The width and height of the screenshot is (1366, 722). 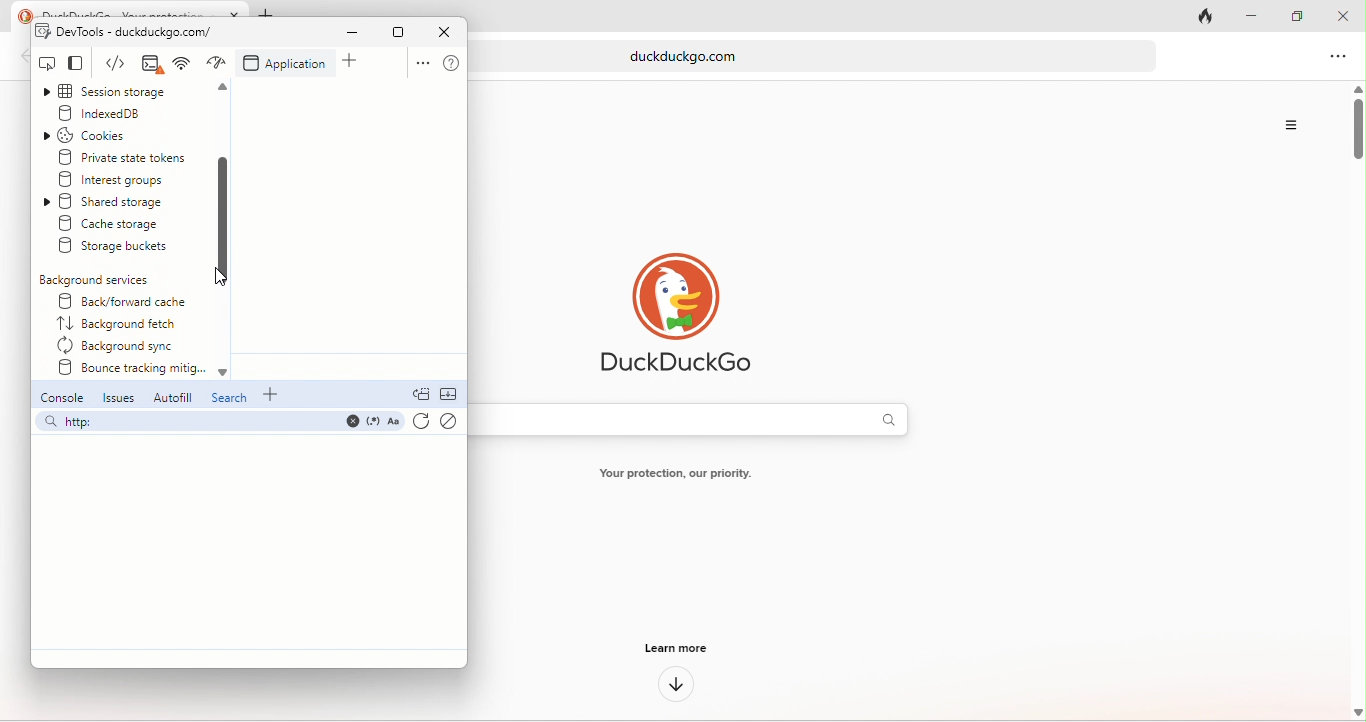 What do you see at coordinates (1289, 13) in the screenshot?
I see `maximize` at bounding box center [1289, 13].